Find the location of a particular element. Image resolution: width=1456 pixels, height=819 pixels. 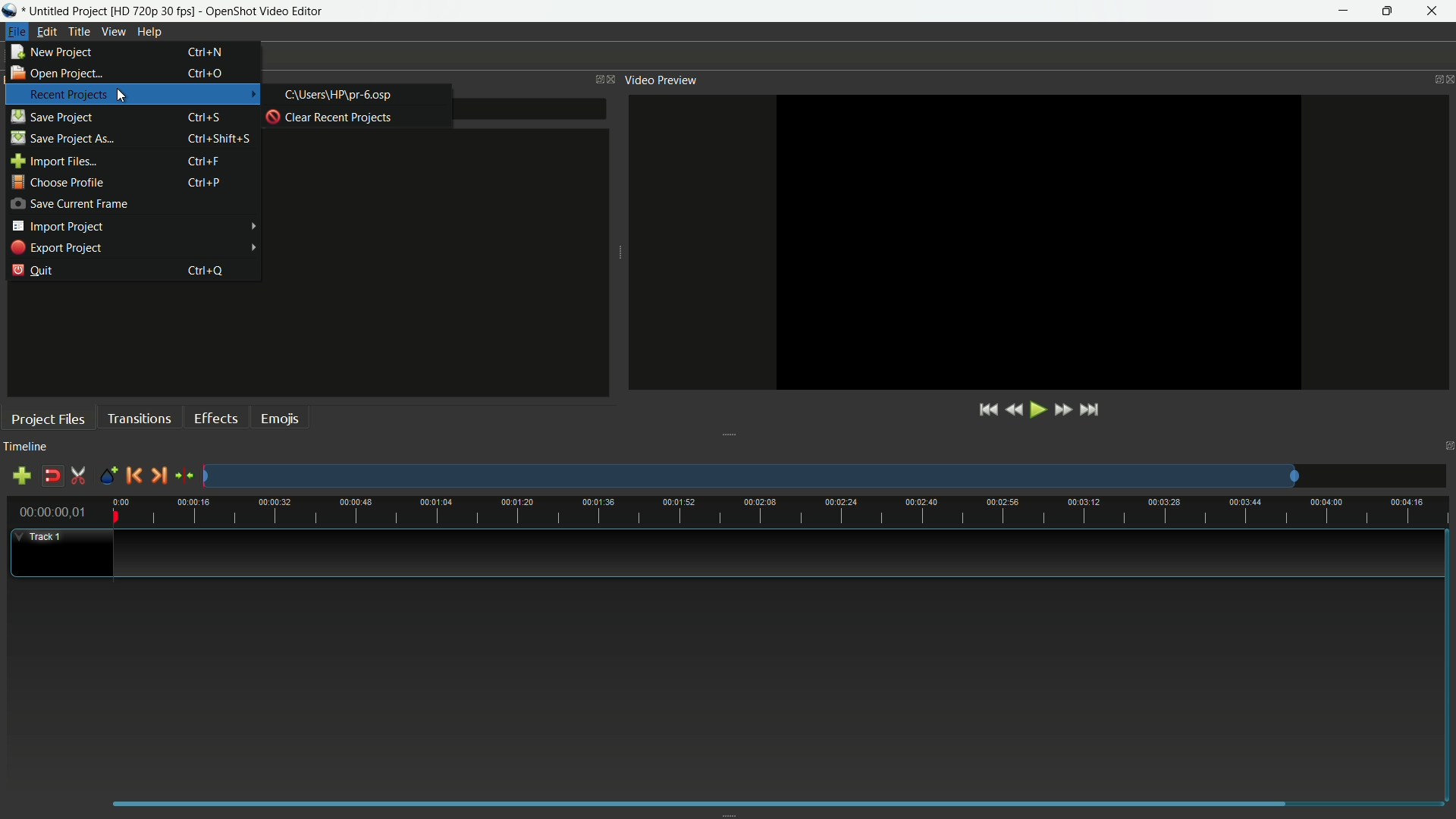

recent projects is located at coordinates (68, 95).